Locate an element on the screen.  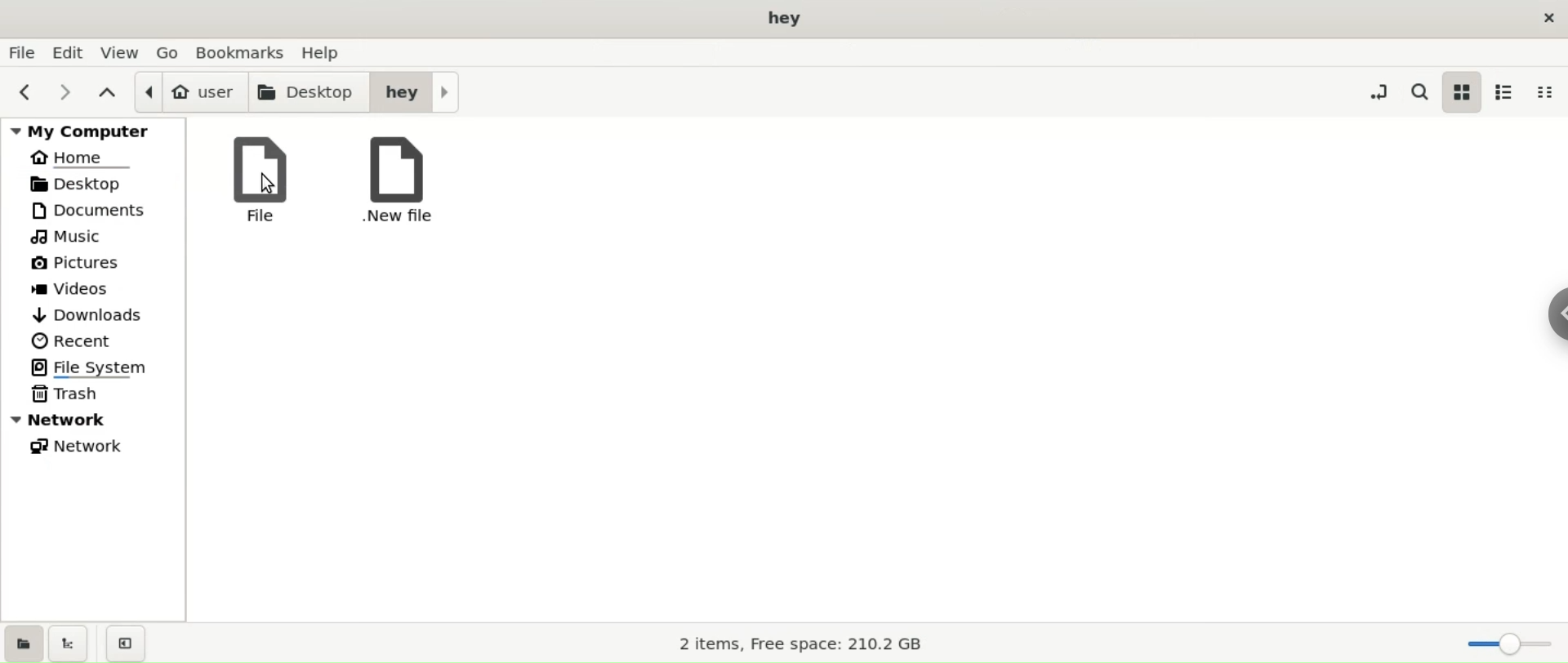
view is located at coordinates (123, 52).